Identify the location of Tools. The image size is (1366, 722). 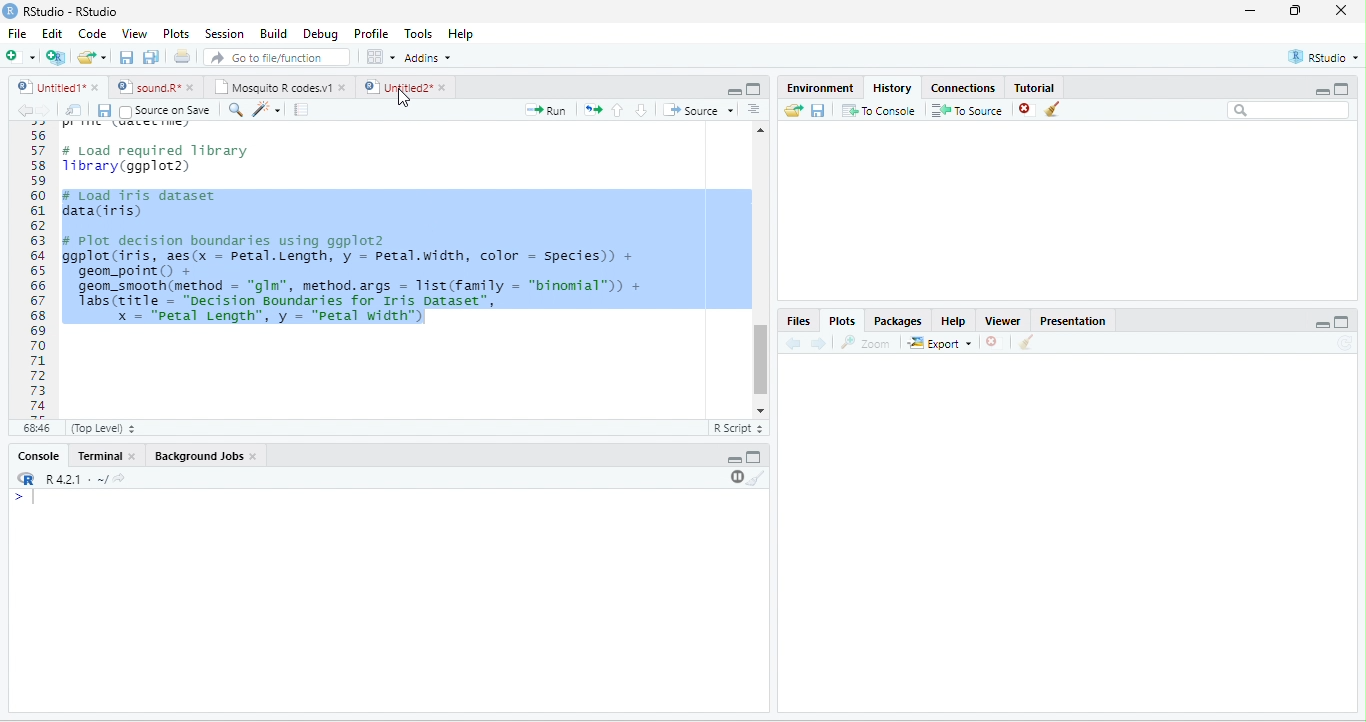
(420, 34).